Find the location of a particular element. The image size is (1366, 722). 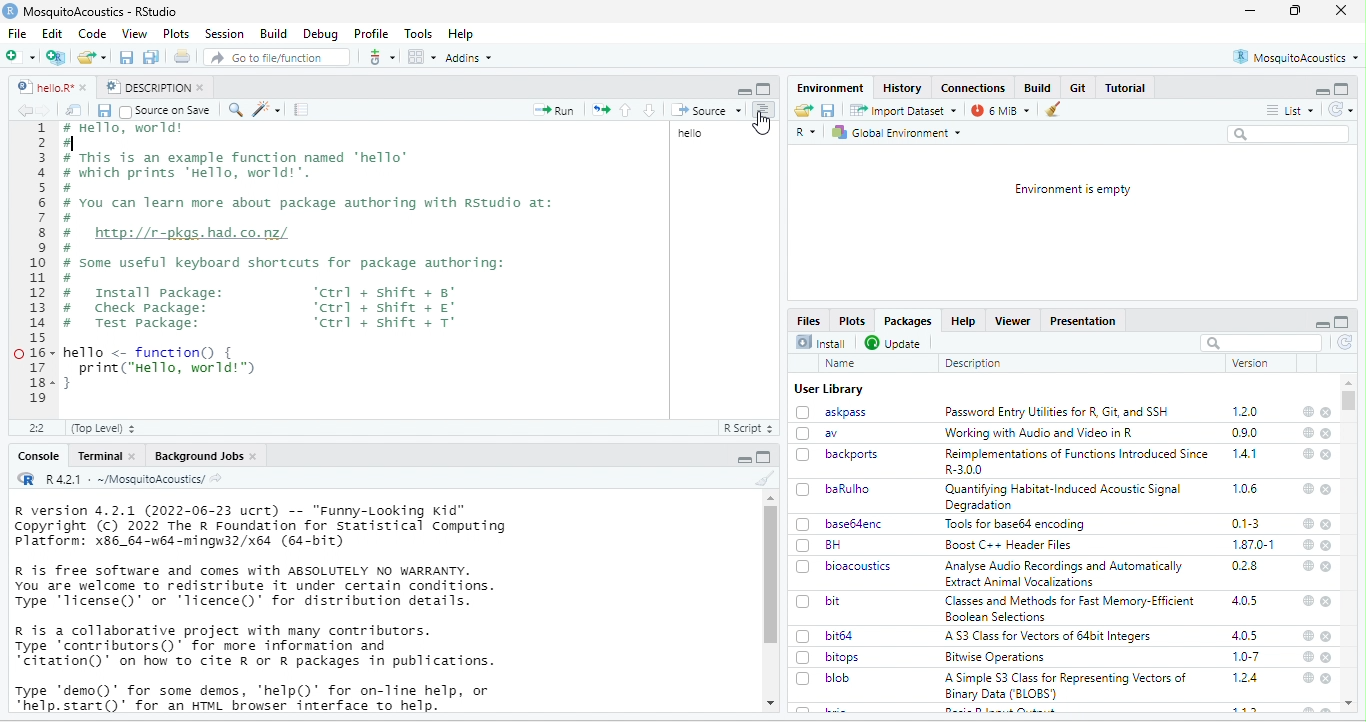

bitops is located at coordinates (830, 658).